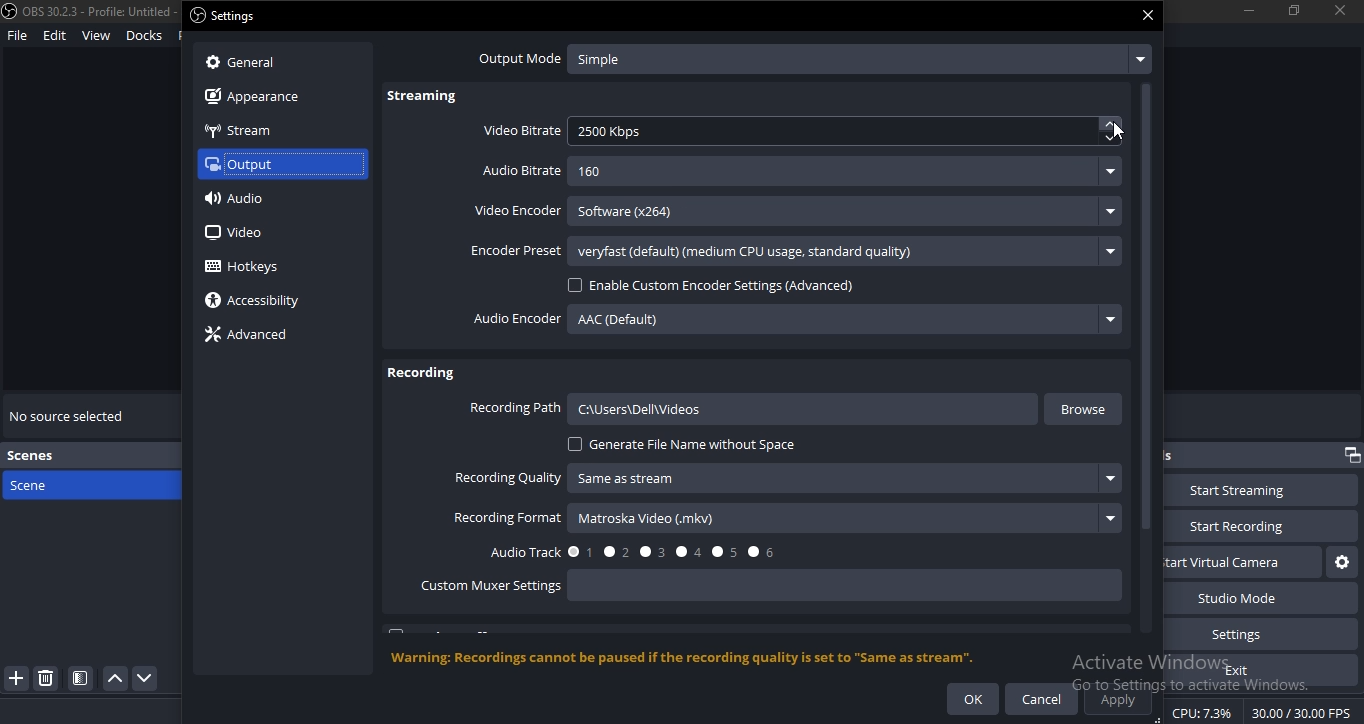  What do you see at coordinates (691, 657) in the screenshot?
I see `‘Warning: Recordings cannot be paused if the recording quality is set to "Same as stream".` at bounding box center [691, 657].